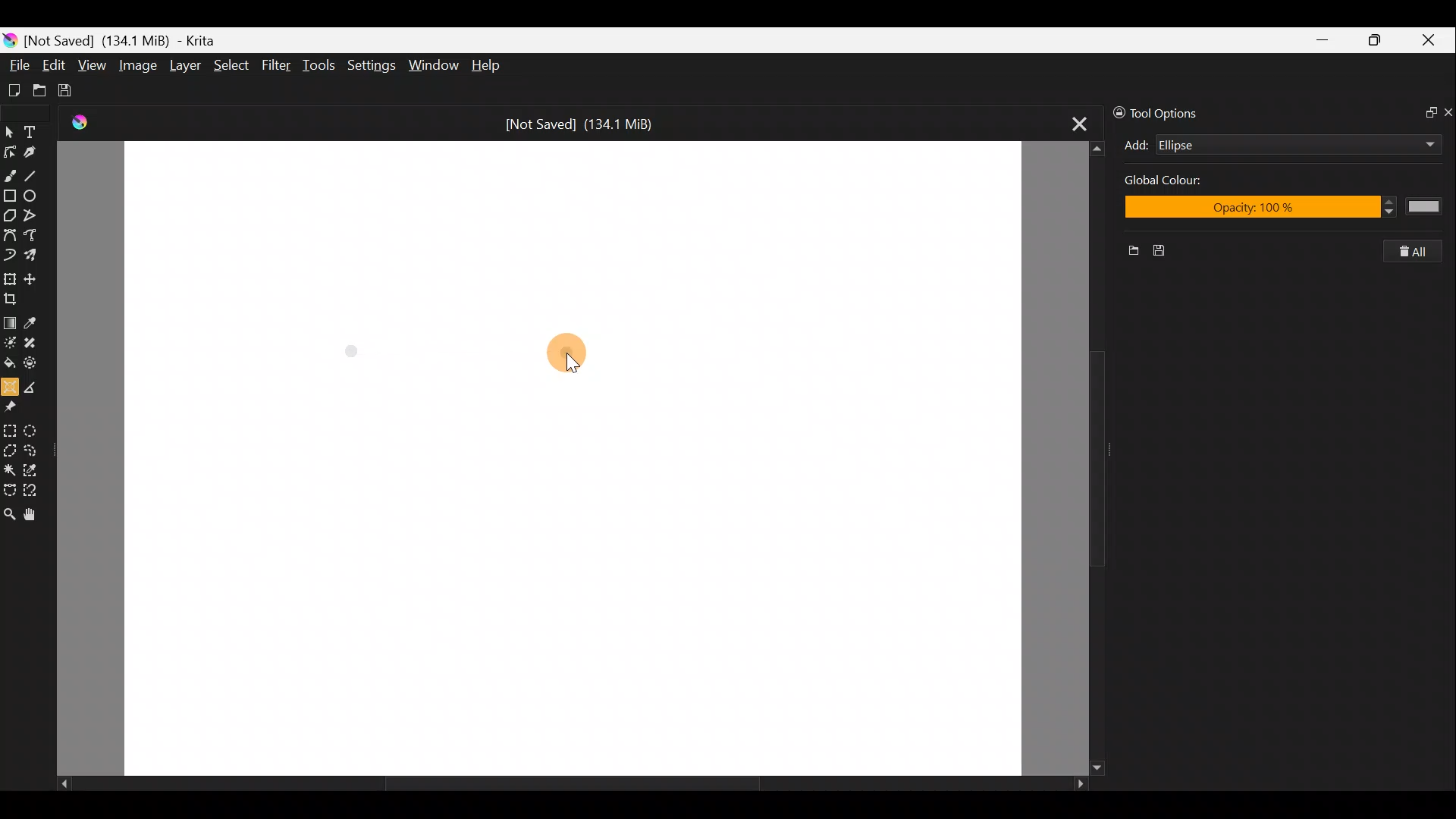  Describe the element at coordinates (36, 386) in the screenshot. I see `Measure the distance between two points` at that location.